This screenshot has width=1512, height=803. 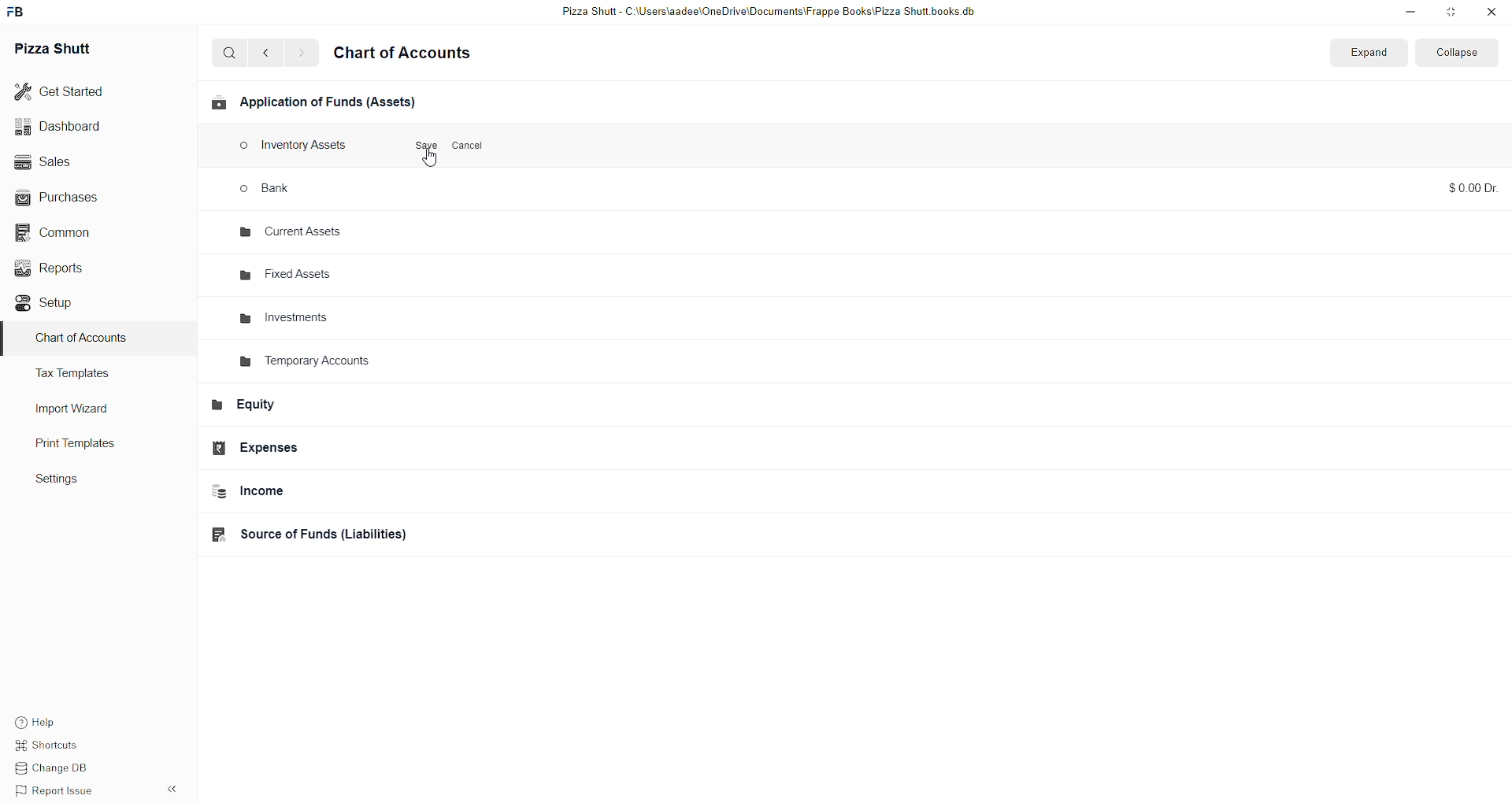 What do you see at coordinates (324, 409) in the screenshot?
I see `Equity ` at bounding box center [324, 409].